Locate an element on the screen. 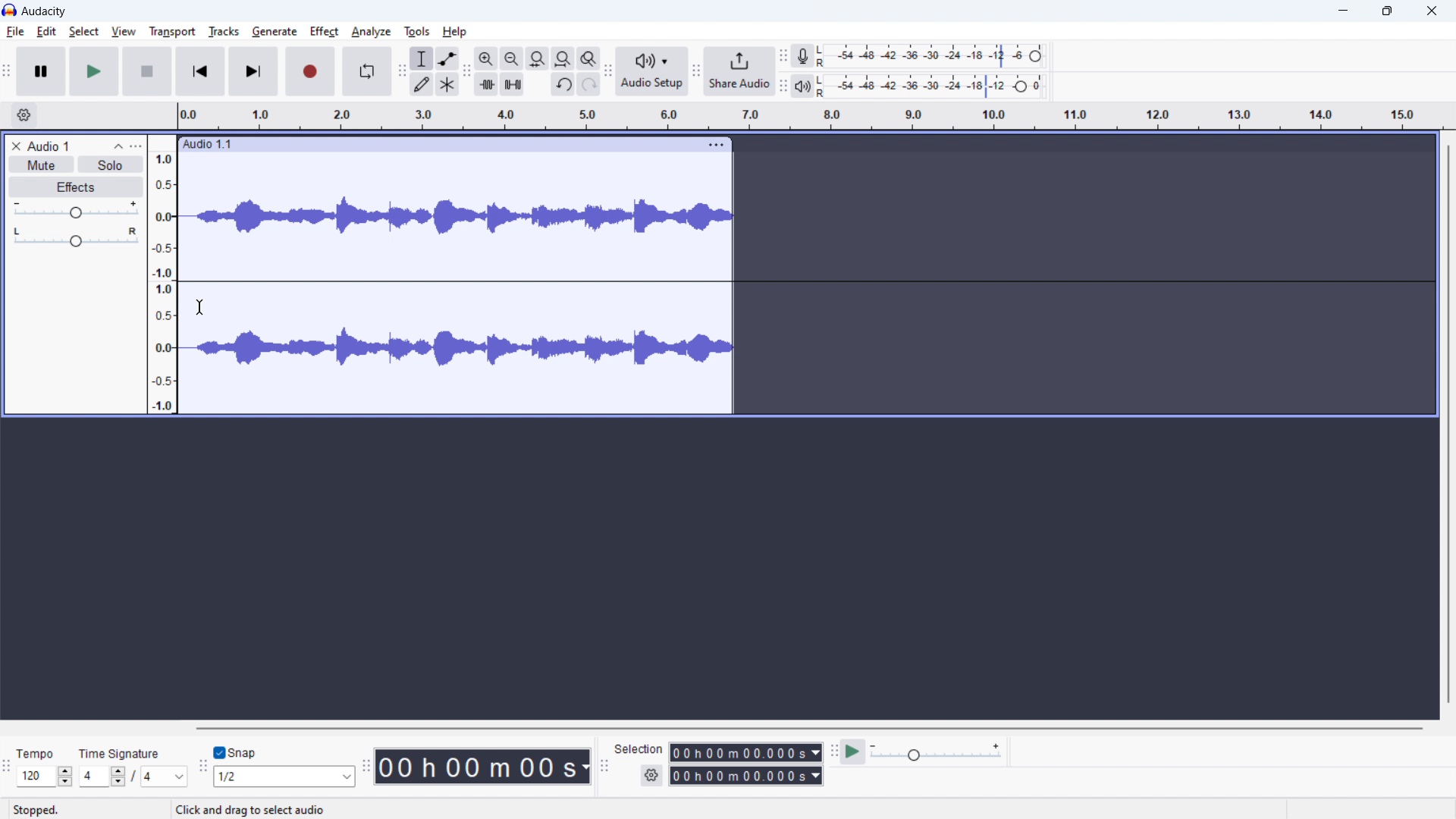  redo is located at coordinates (588, 84).